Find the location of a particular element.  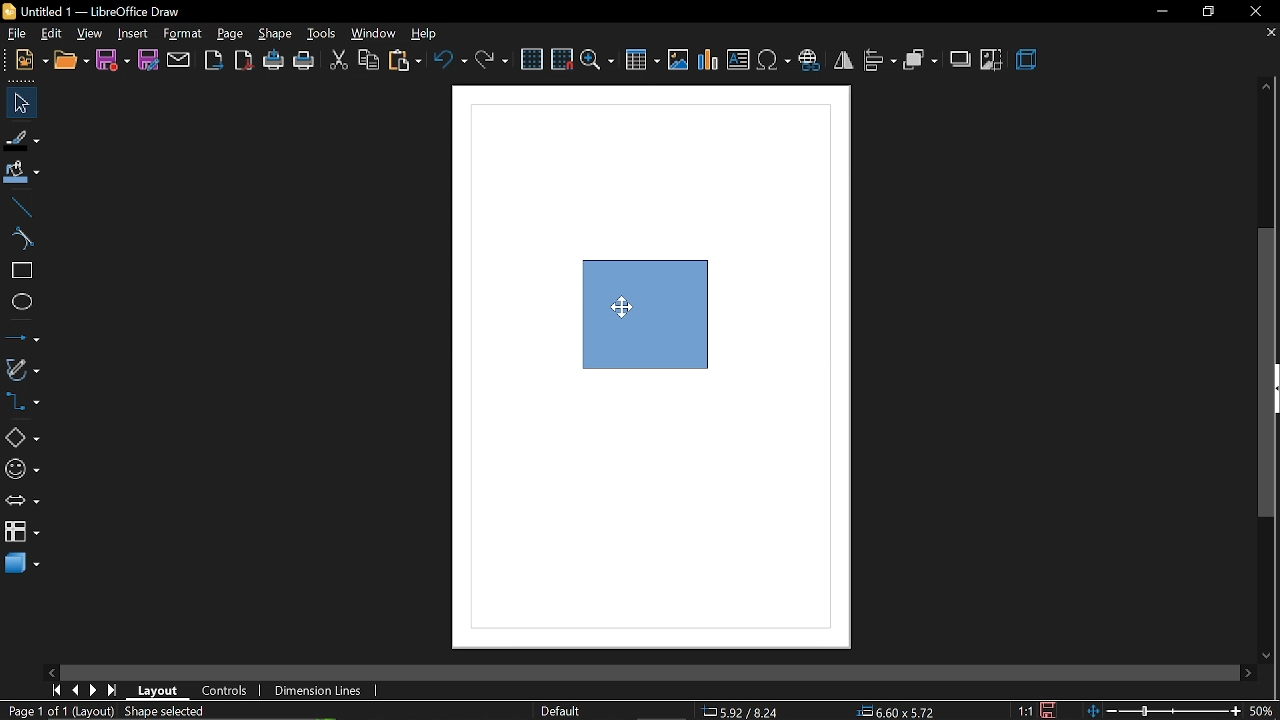

undo is located at coordinates (450, 62).